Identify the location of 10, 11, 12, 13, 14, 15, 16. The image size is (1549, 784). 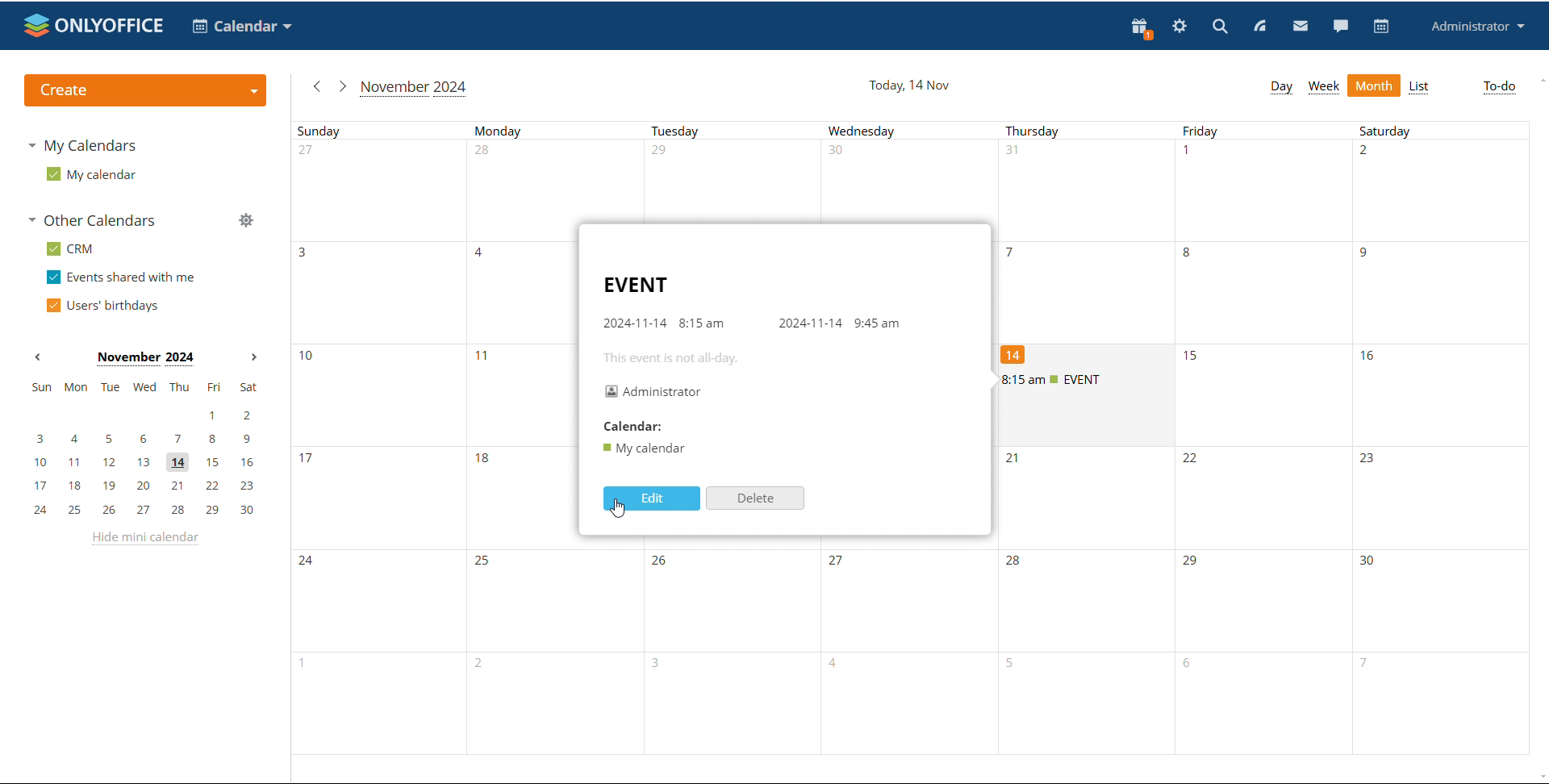
(144, 463).